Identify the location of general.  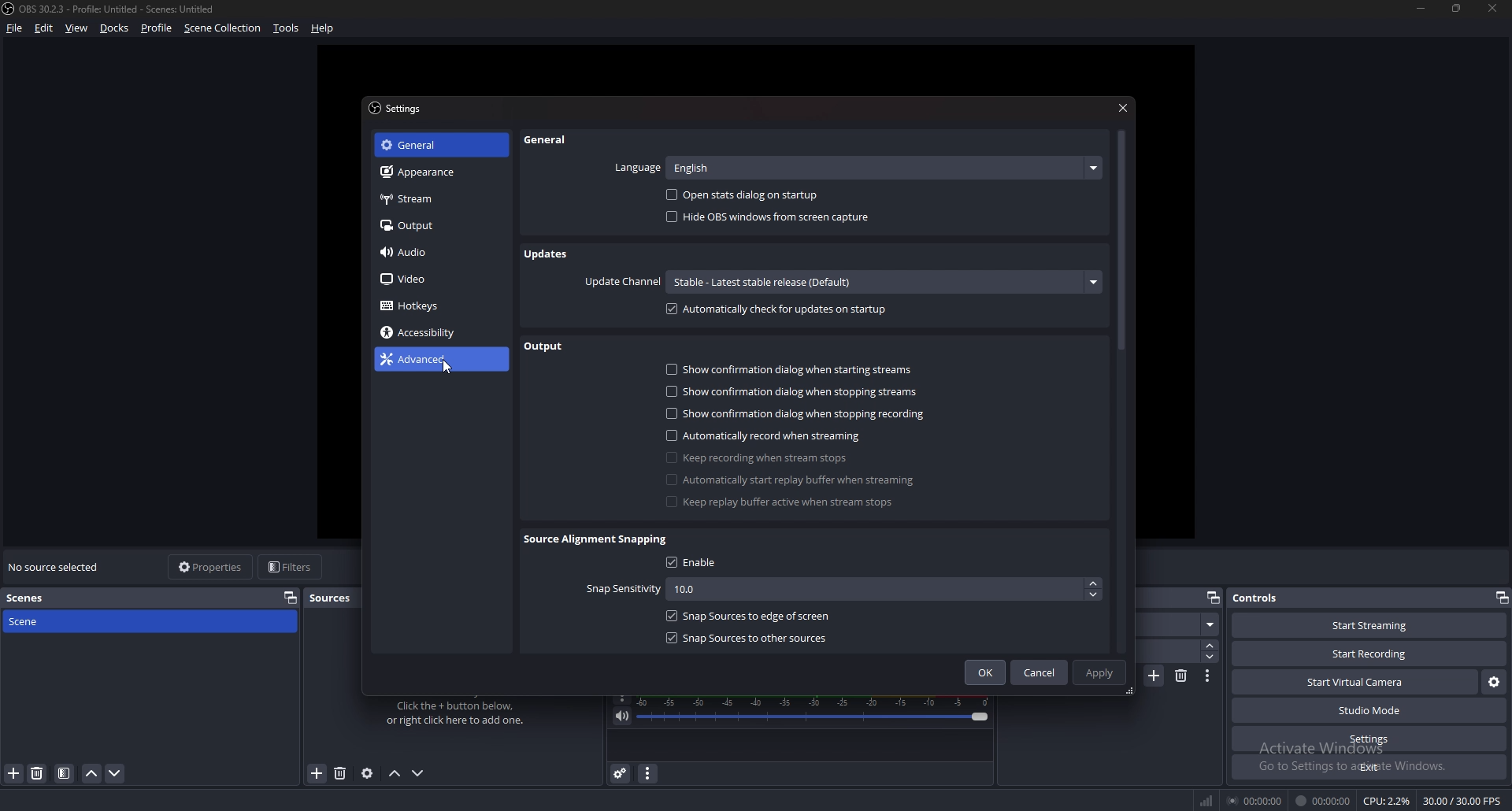
(434, 145).